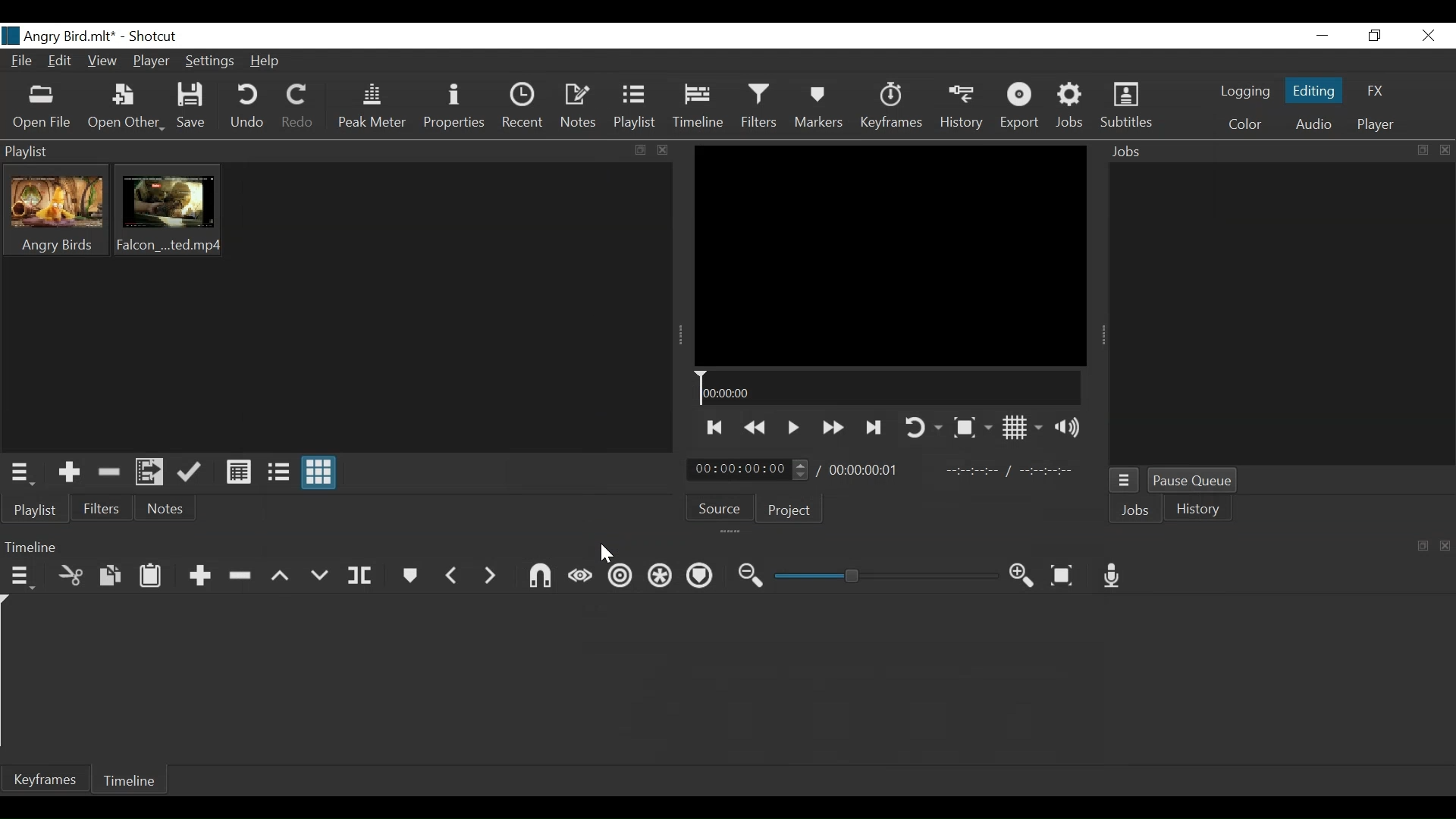 This screenshot has width=1456, height=819. I want to click on Open File, so click(42, 109).